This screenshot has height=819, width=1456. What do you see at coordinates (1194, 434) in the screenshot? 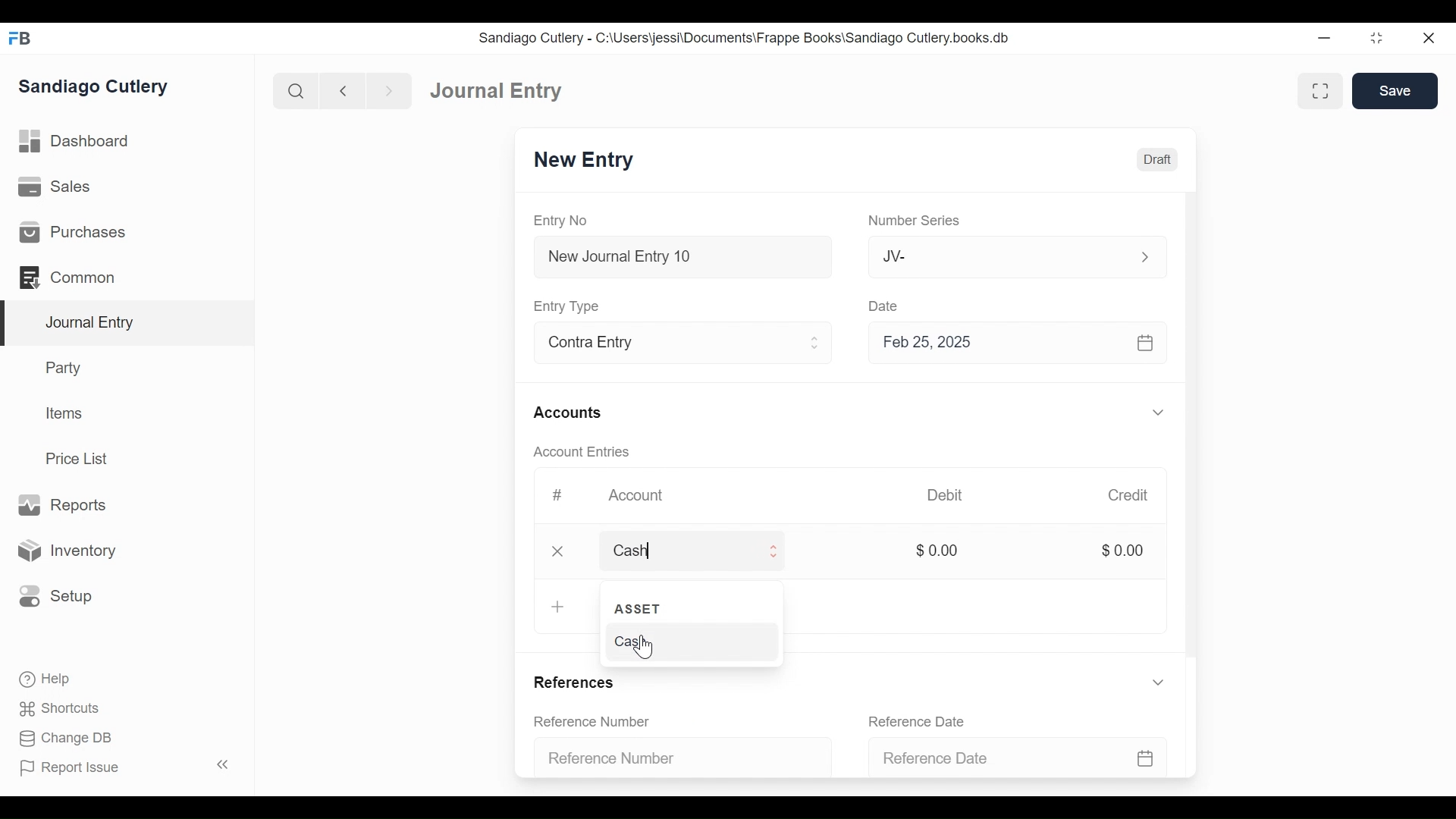
I see `Vertical Scroll bar` at bounding box center [1194, 434].